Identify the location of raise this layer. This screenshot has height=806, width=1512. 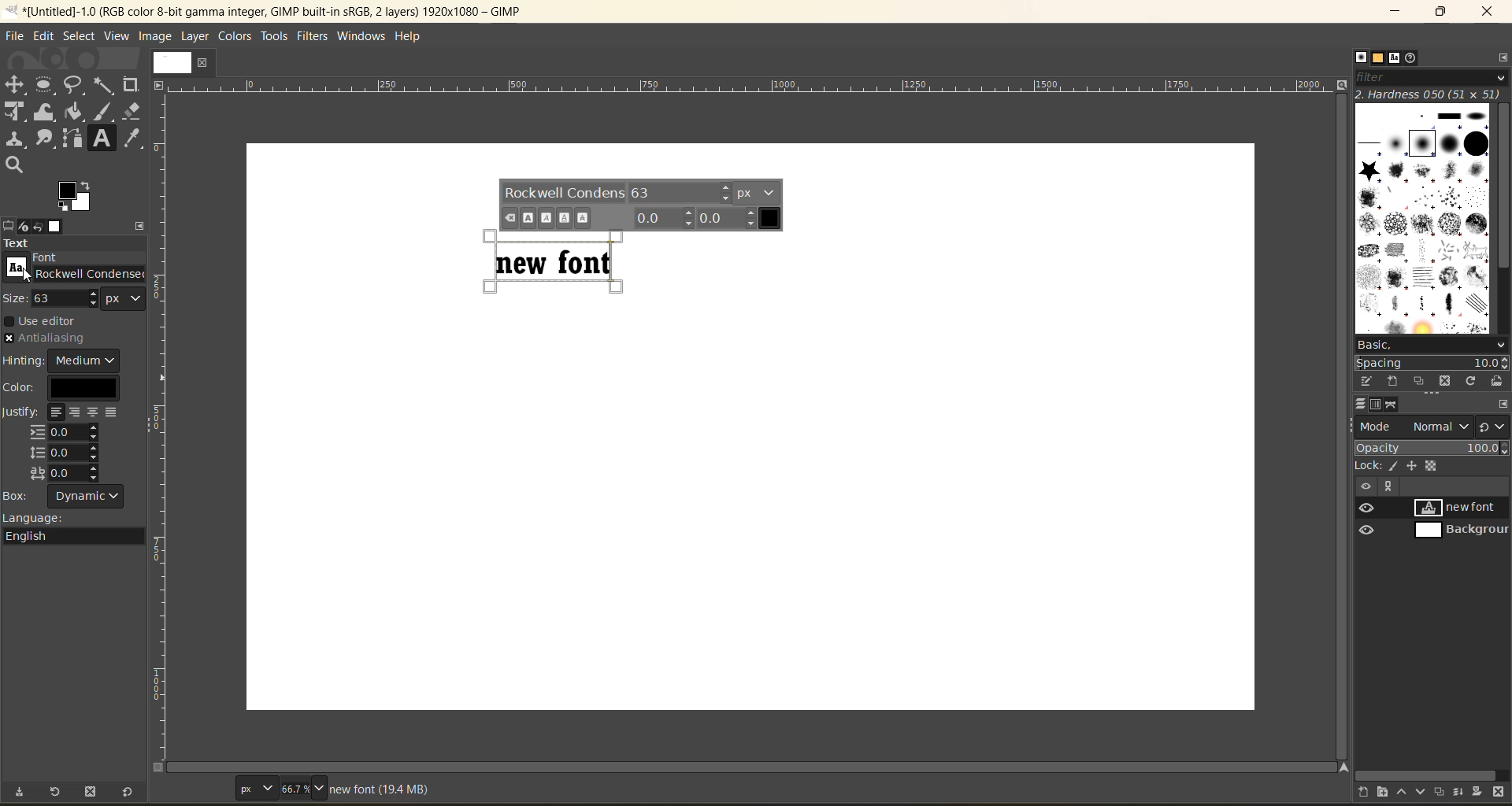
(1408, 793).